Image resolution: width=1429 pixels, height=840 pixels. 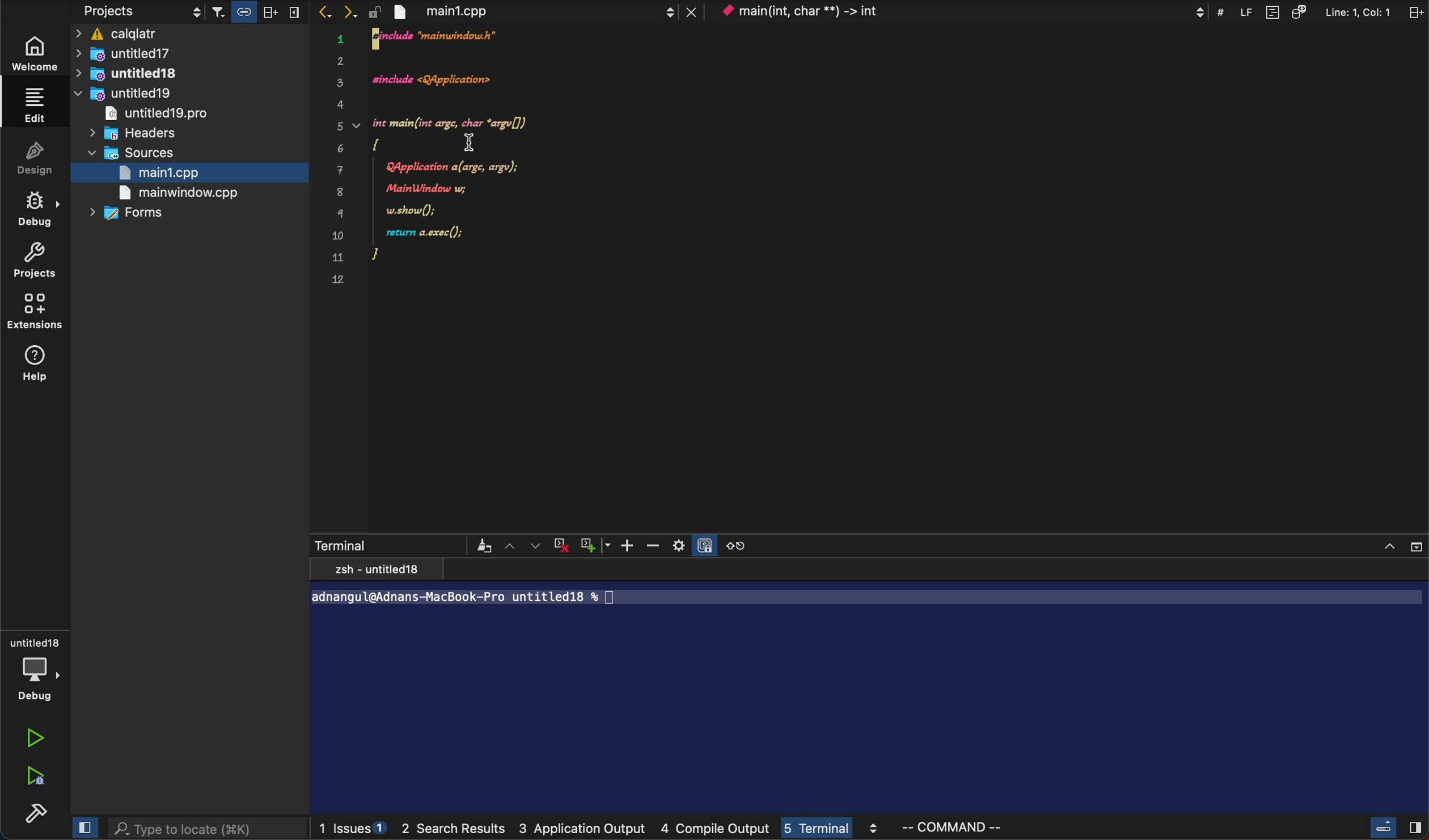 I want to click on command, so click(x=971, y=829).